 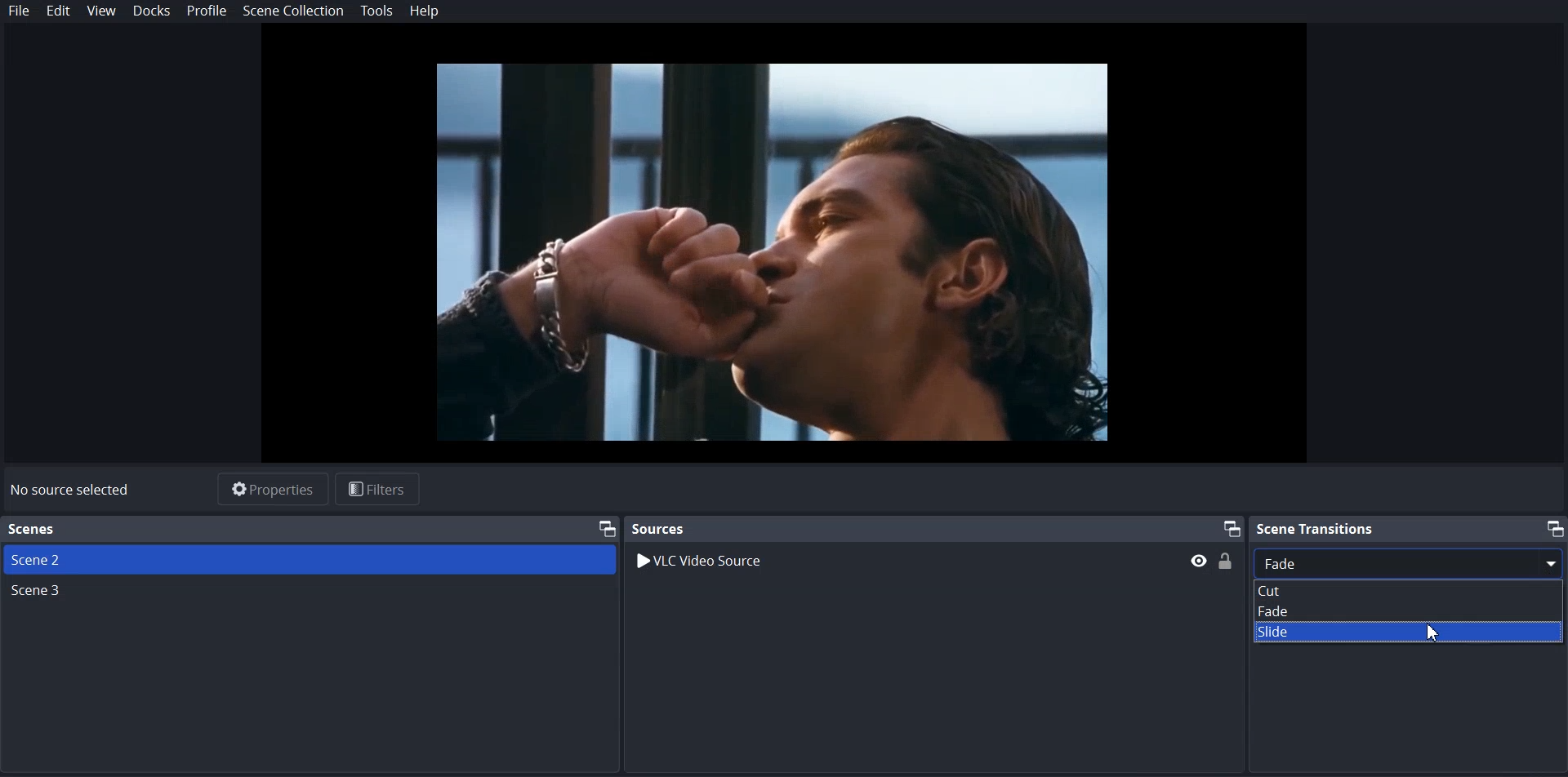 I want to click on Fade, so click(x=1411, y=610).